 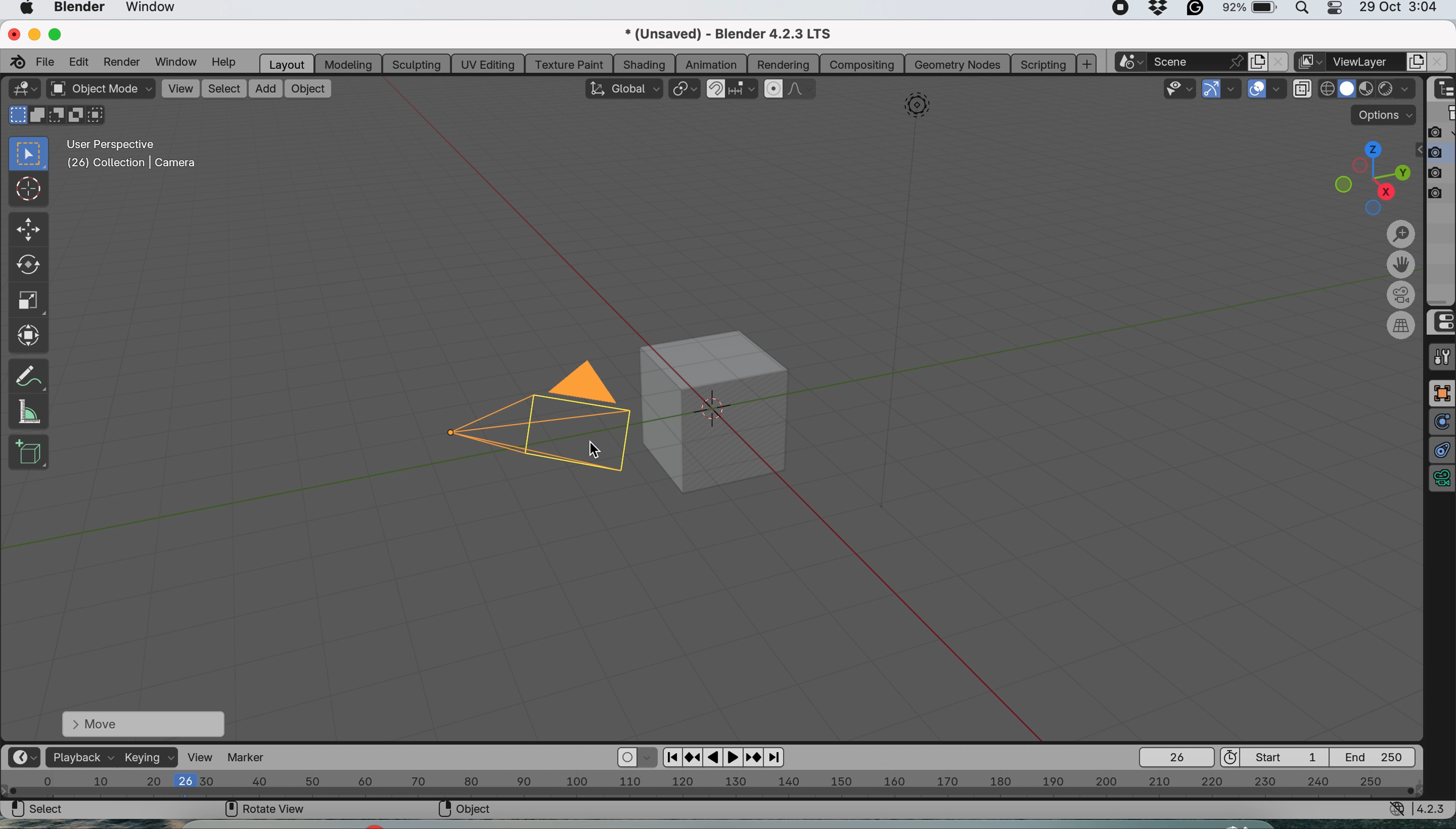 I want to click on *(Unsaved) - Blend 4.2.3 LTS, so click(x=741, y=34).